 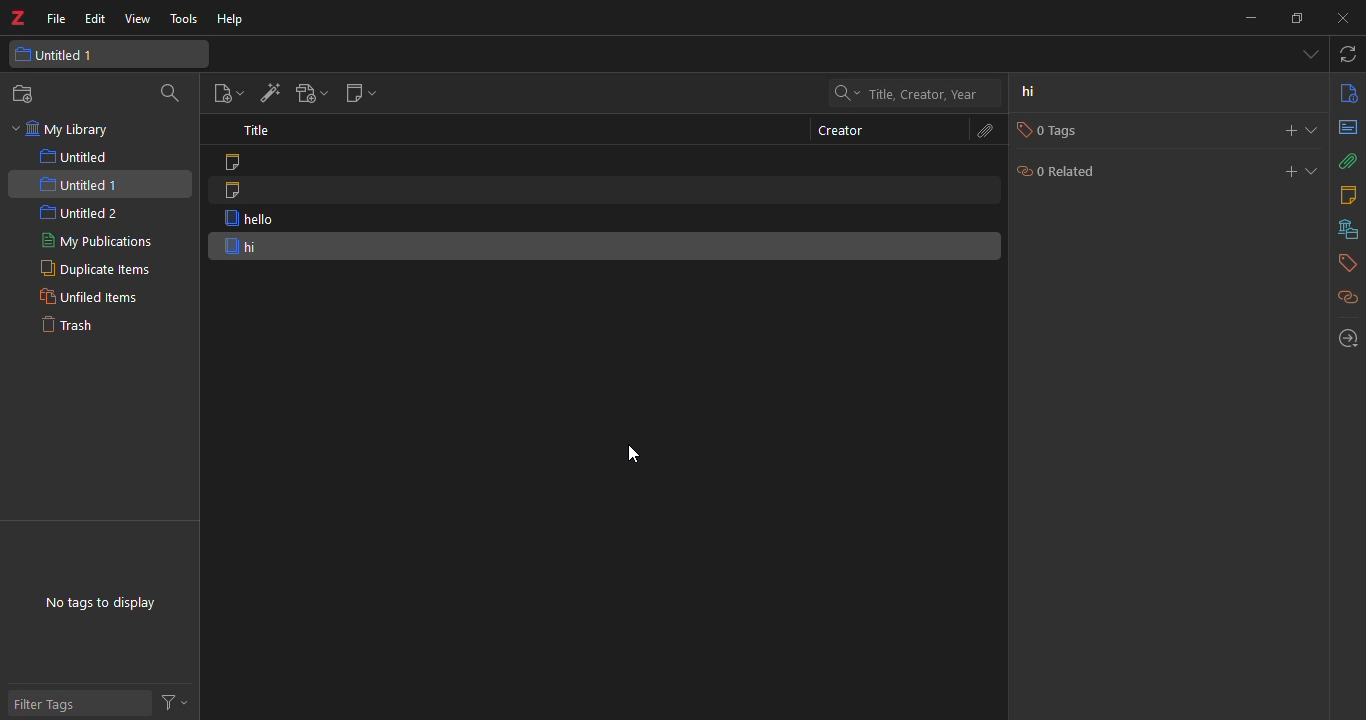 I want to click on untitled 1, so click(x=63, y=55).